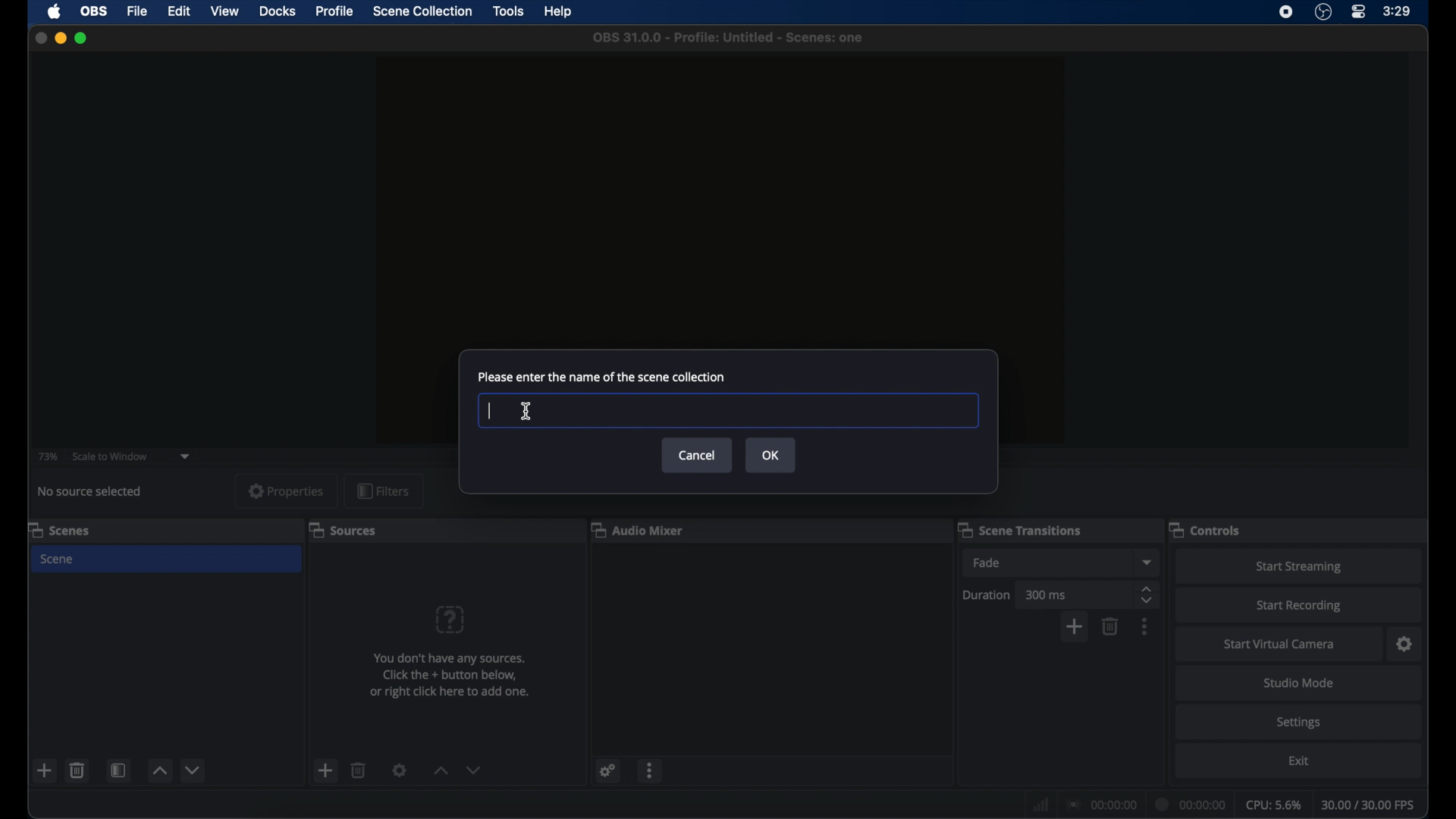 The height and width of the screenshot is (819, 1456). I want to click on maximize, so click(82, 38).